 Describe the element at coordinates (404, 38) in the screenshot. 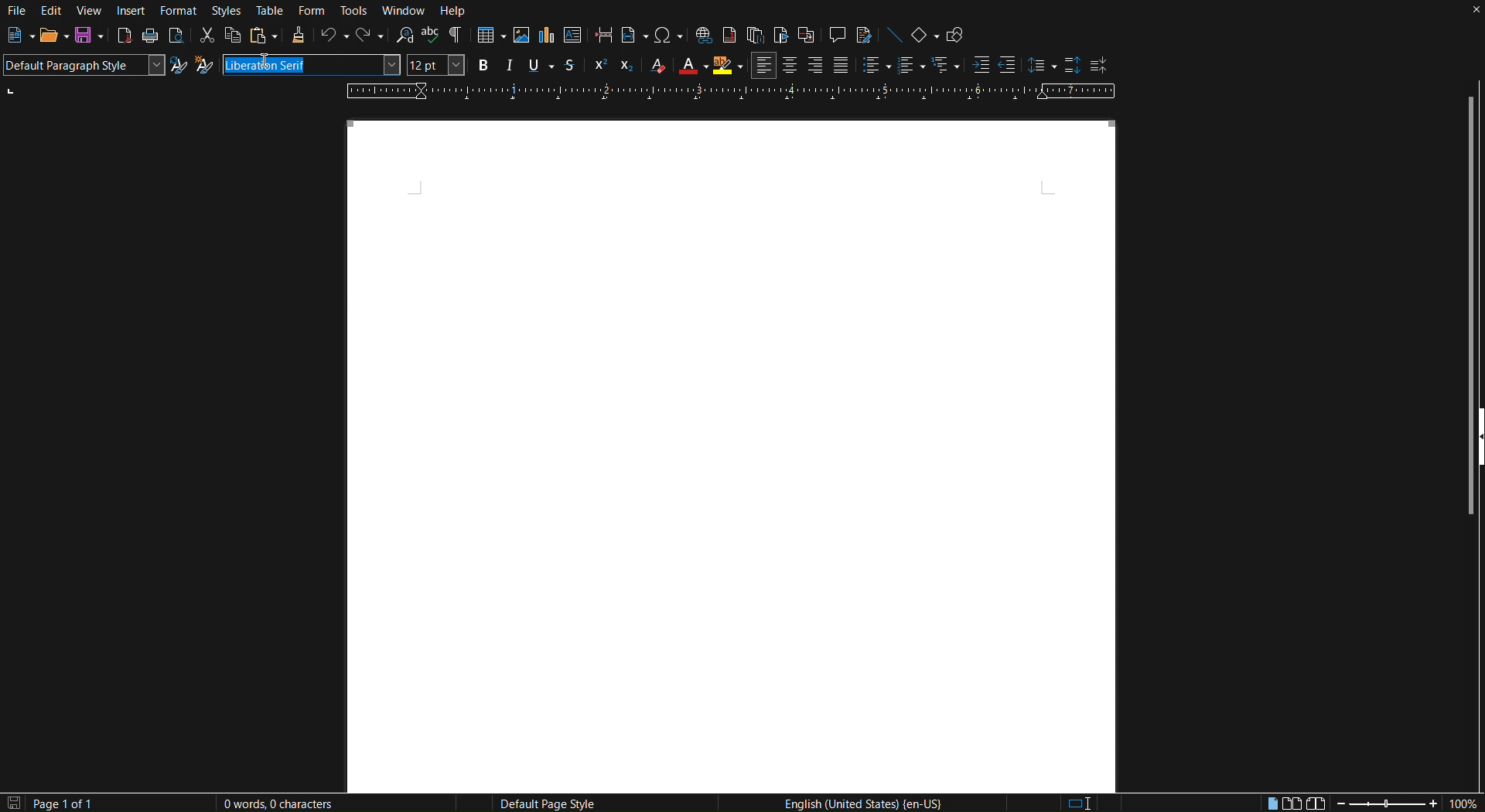

I see `Find and Replace` at that location.